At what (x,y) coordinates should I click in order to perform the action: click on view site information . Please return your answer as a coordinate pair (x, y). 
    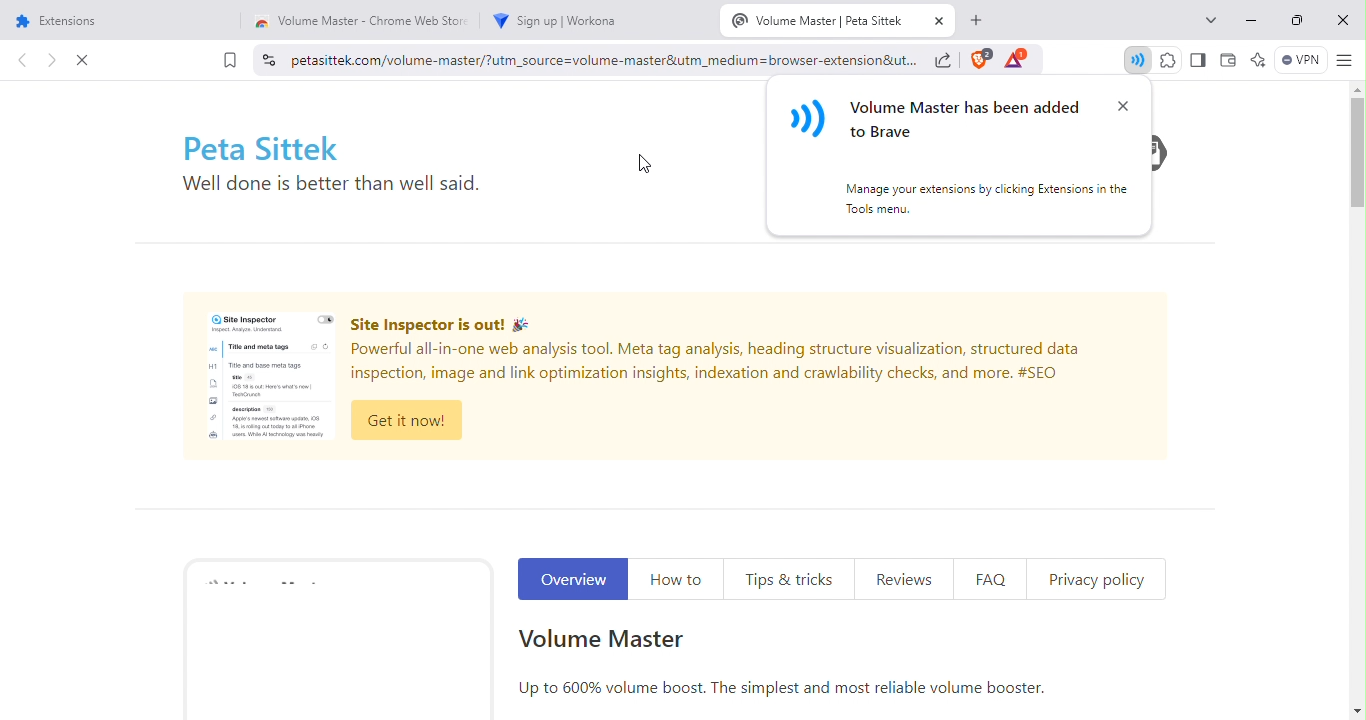
    Looking at the image, I should click on (270, 60).